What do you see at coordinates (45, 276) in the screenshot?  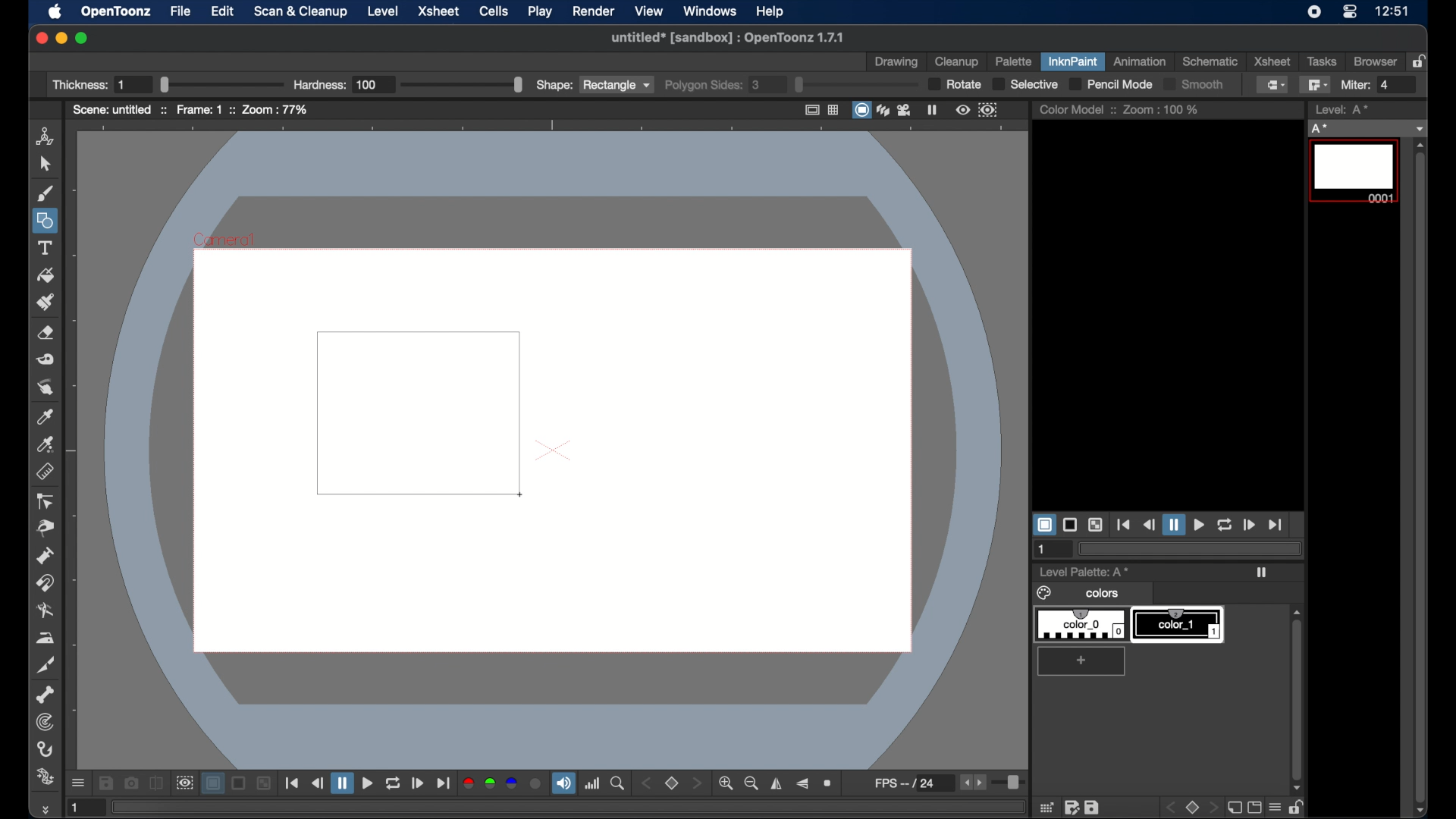 I see `fill tool` at bounding box center [45, 276].